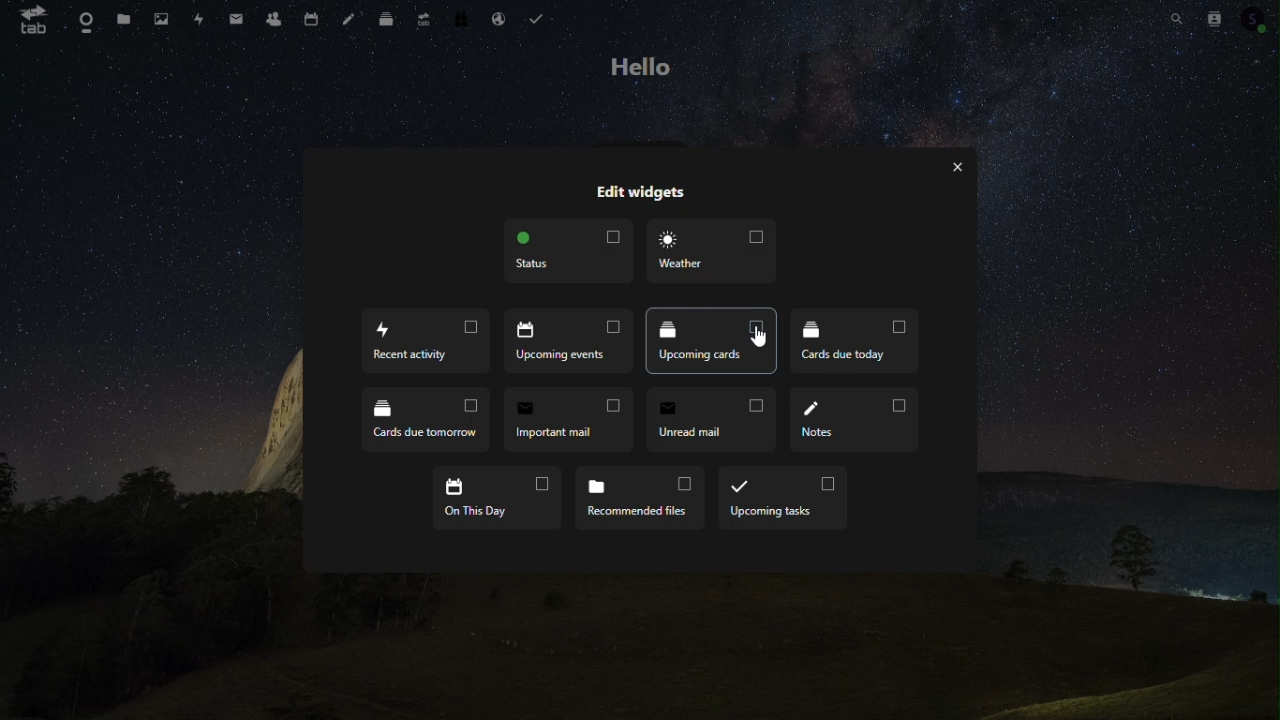  What do you see at coordinates (1212, 18) in the screenshot?
I see `Contacts search` at bounding box center [1212, 18].